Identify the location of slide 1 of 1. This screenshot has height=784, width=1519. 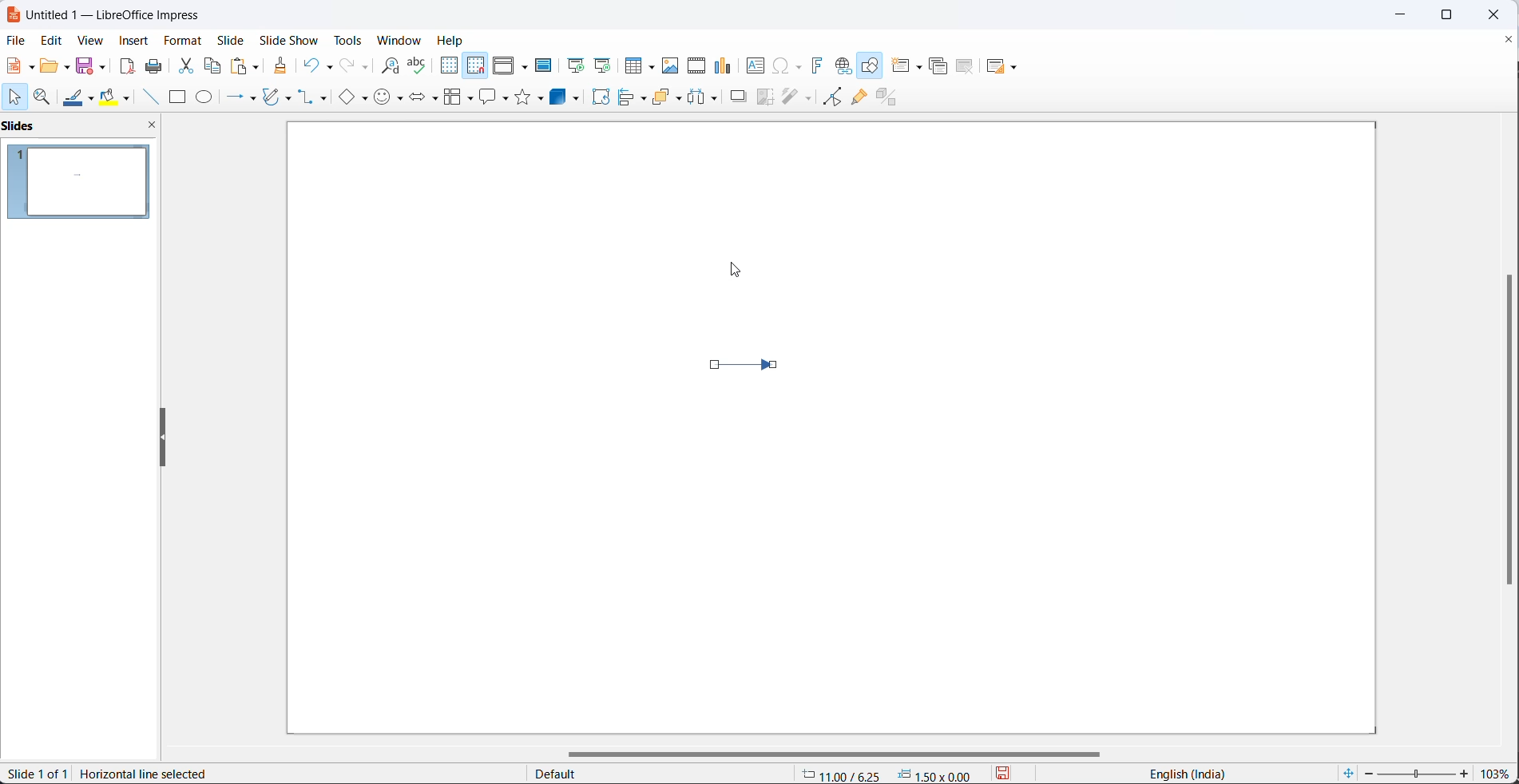
(37, 775).